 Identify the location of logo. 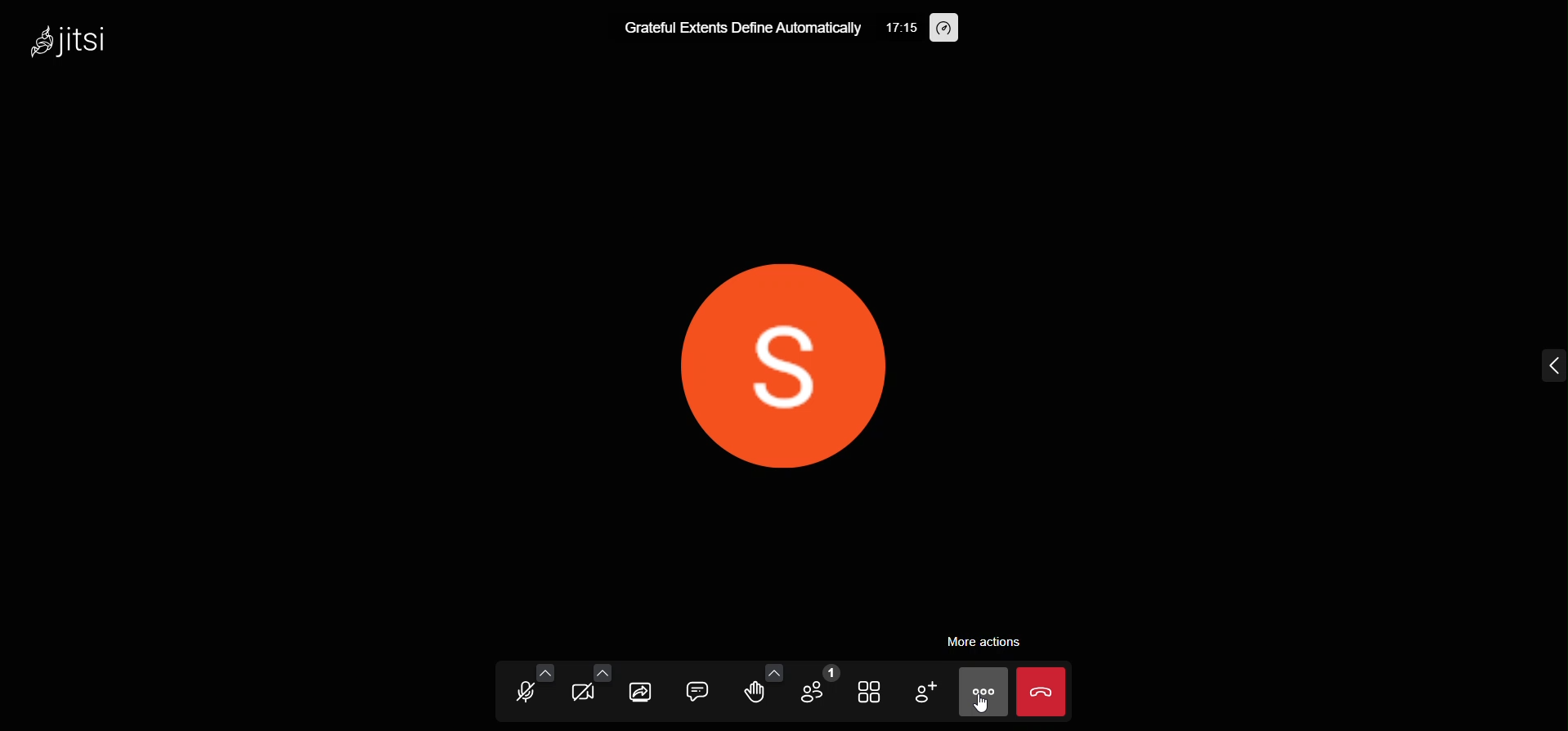
(86, 41).